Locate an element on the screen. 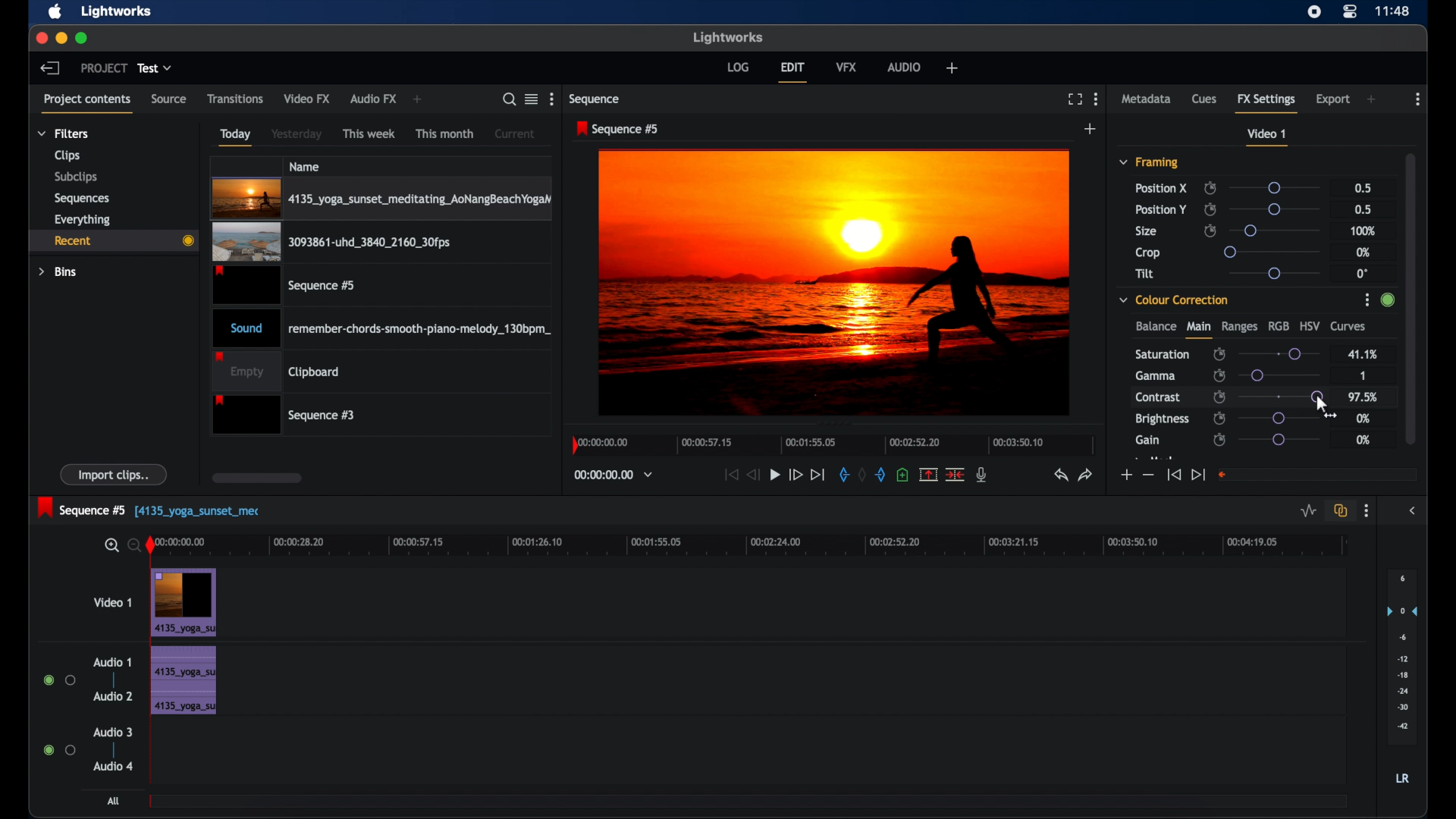 The width and height of the screenshot is (1456, 819). full screen is located at coordinates (1075, 99).